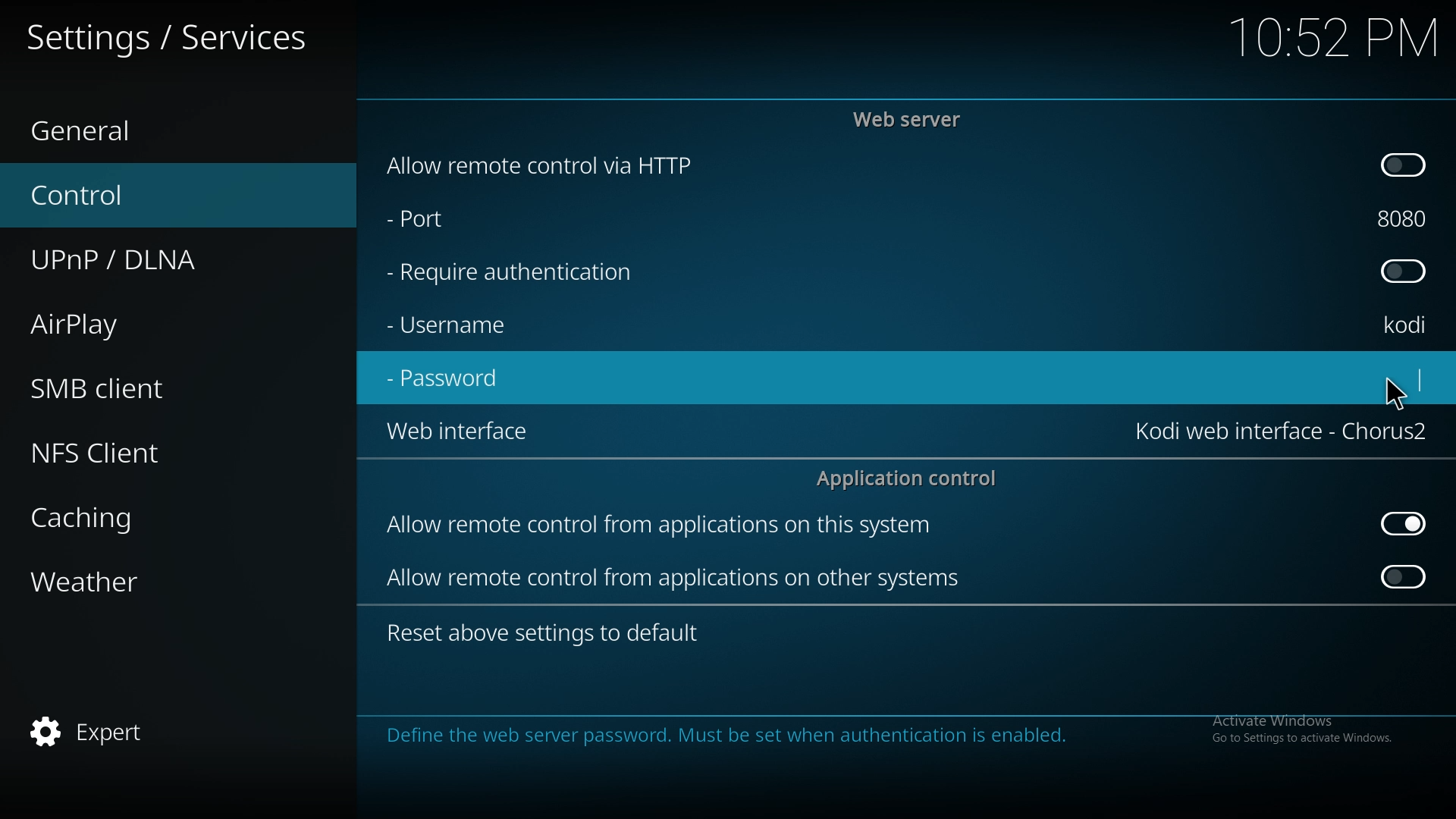 The image size is (1456, 819). I want to click on time, so click(1333, 36).